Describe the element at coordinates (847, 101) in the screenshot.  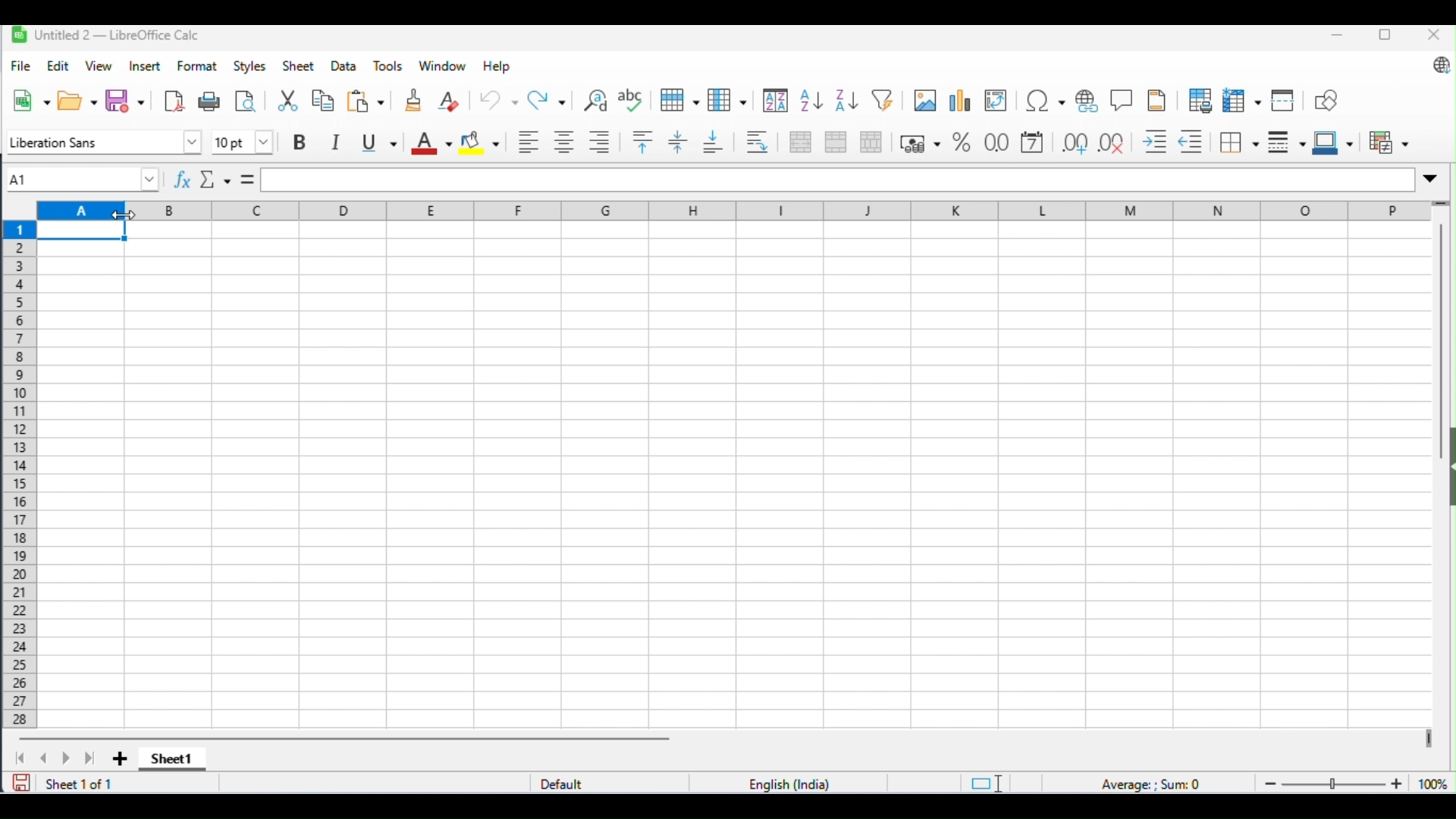
I see `sort descending` at that location.